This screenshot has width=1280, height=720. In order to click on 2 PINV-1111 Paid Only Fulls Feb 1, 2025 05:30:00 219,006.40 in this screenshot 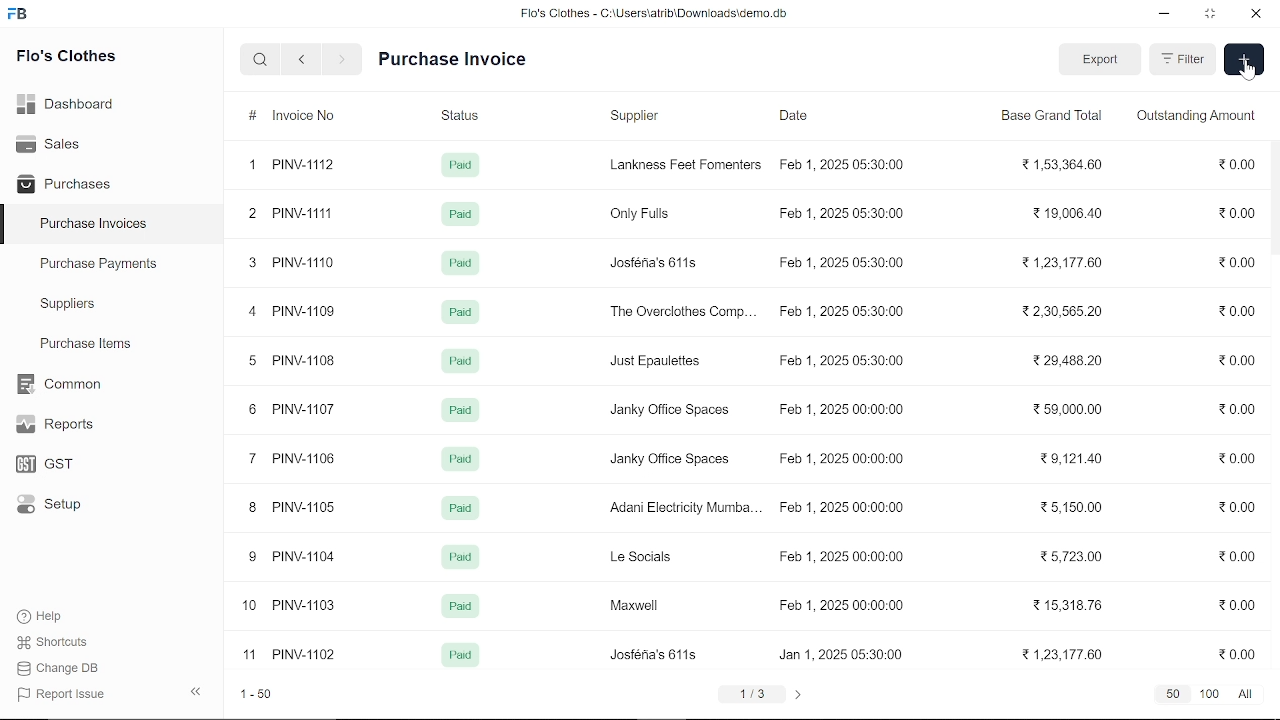, I will do `click(746, 216)`.